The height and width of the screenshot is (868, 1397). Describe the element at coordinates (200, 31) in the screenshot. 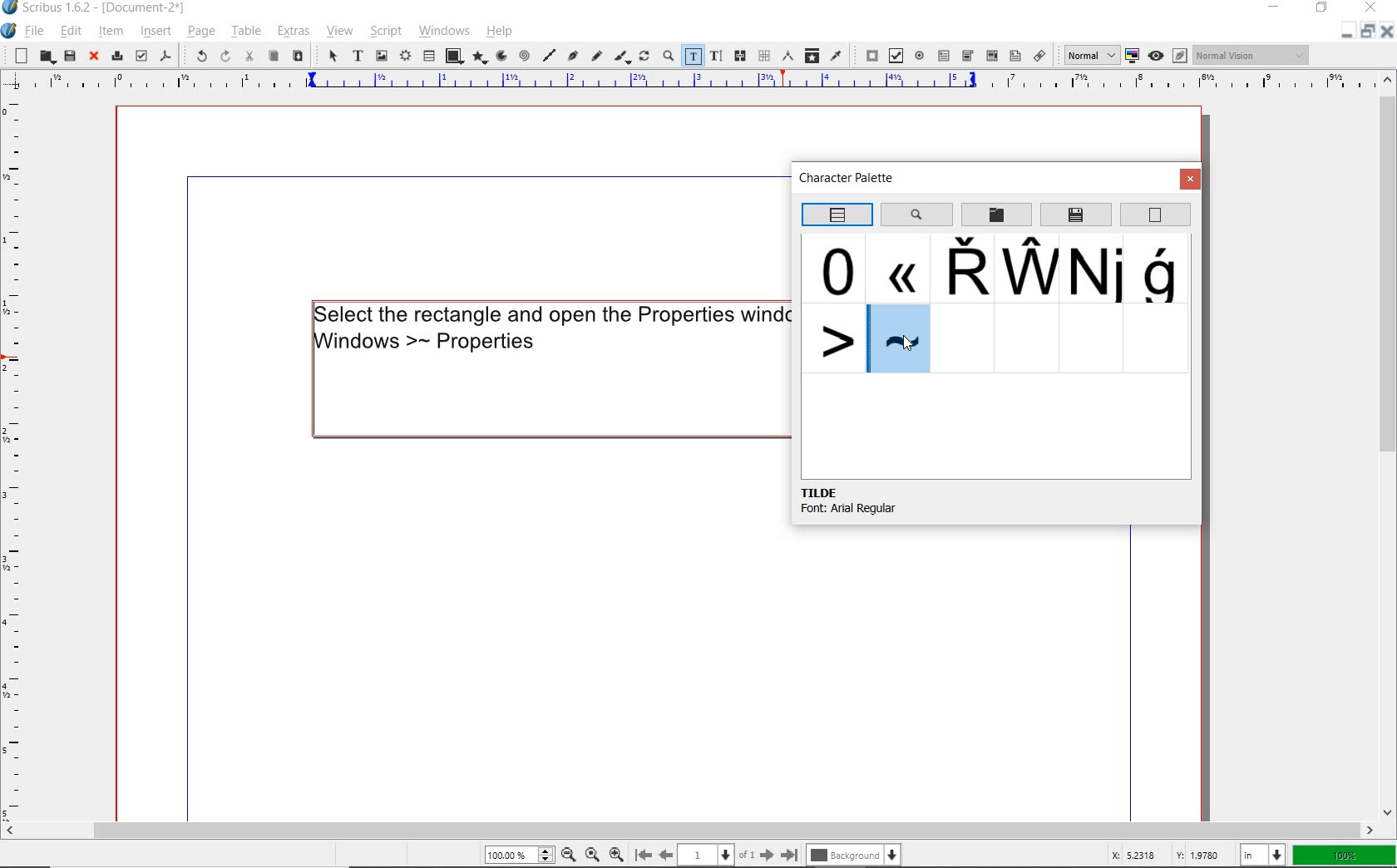

I see `page` at that location.